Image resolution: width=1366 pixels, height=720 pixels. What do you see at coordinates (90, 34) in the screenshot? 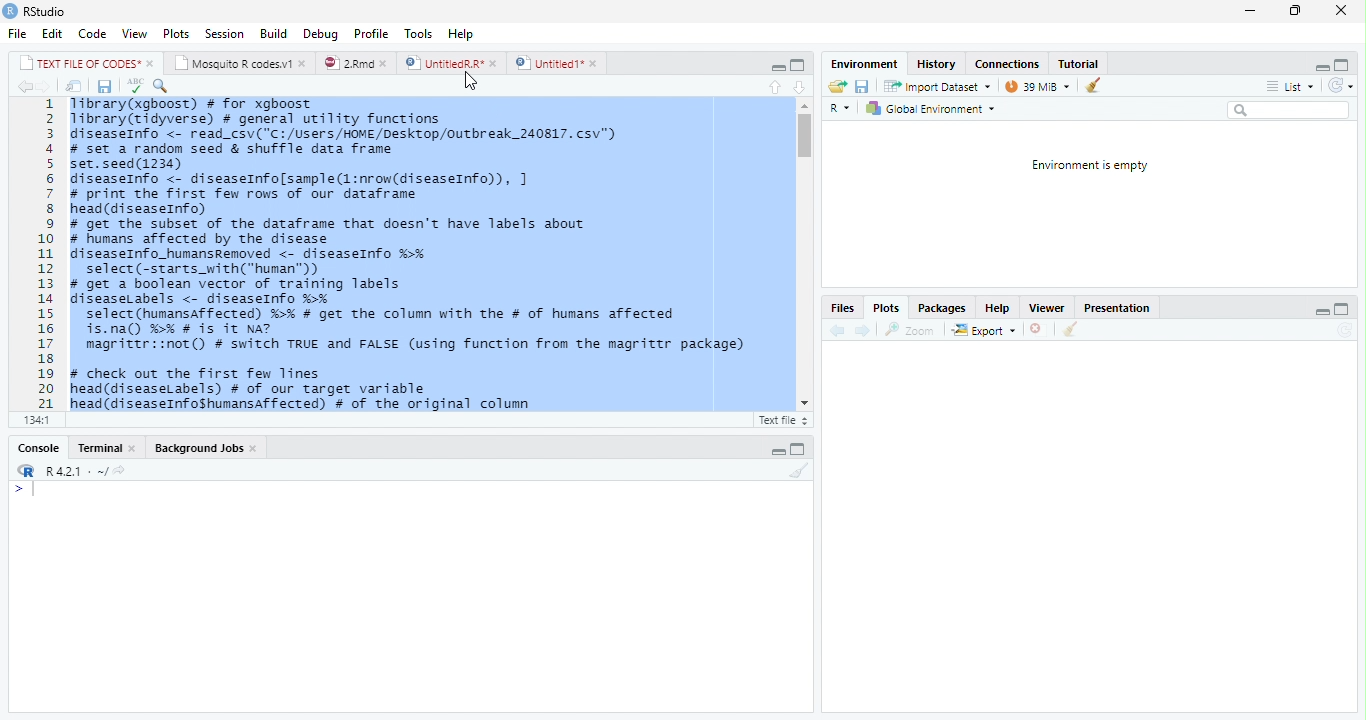
I see `Code` at bounding box center [90, 34].